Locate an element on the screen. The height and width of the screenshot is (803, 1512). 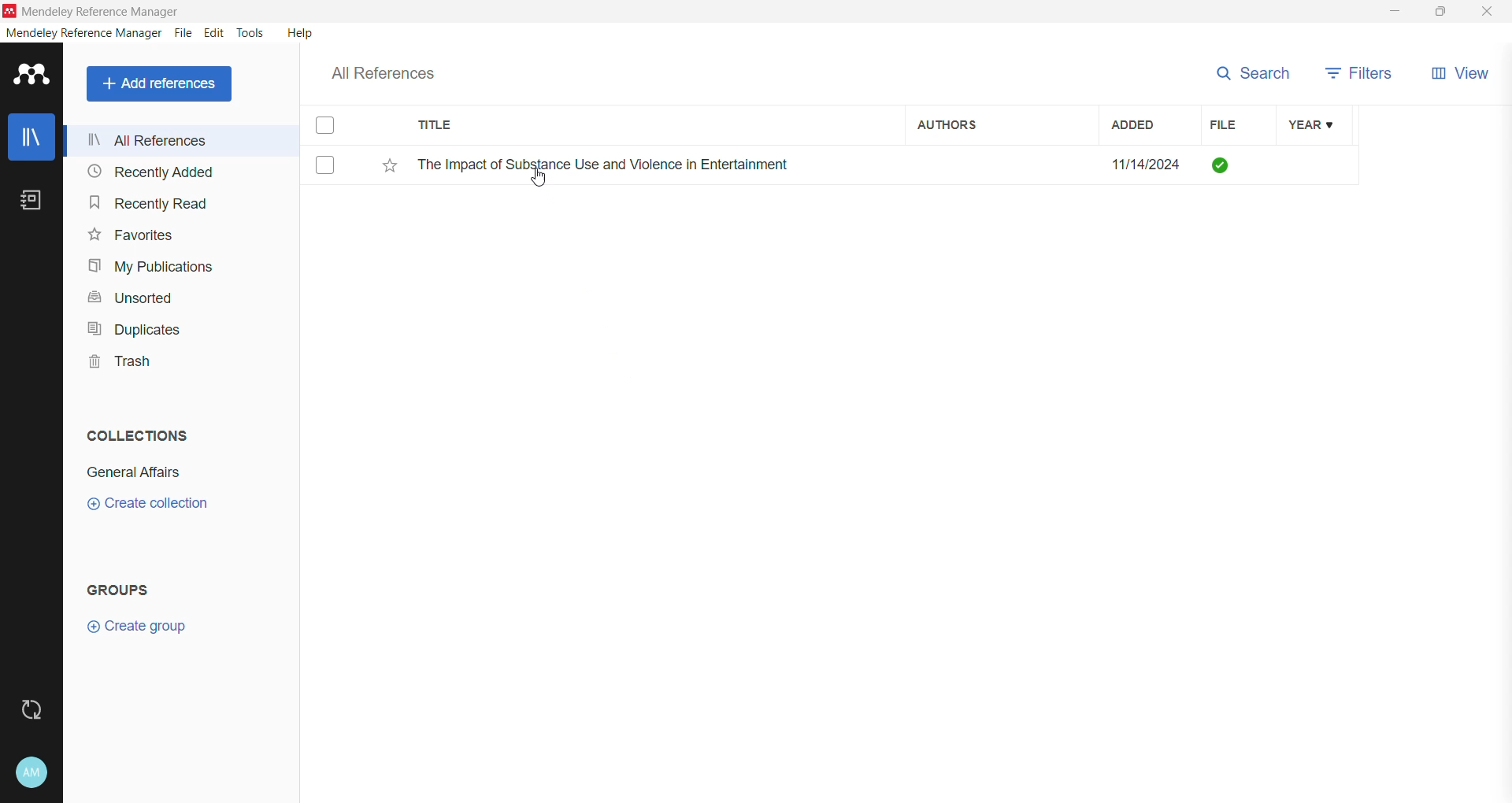
Author name is located at coordinates (1004, 164).